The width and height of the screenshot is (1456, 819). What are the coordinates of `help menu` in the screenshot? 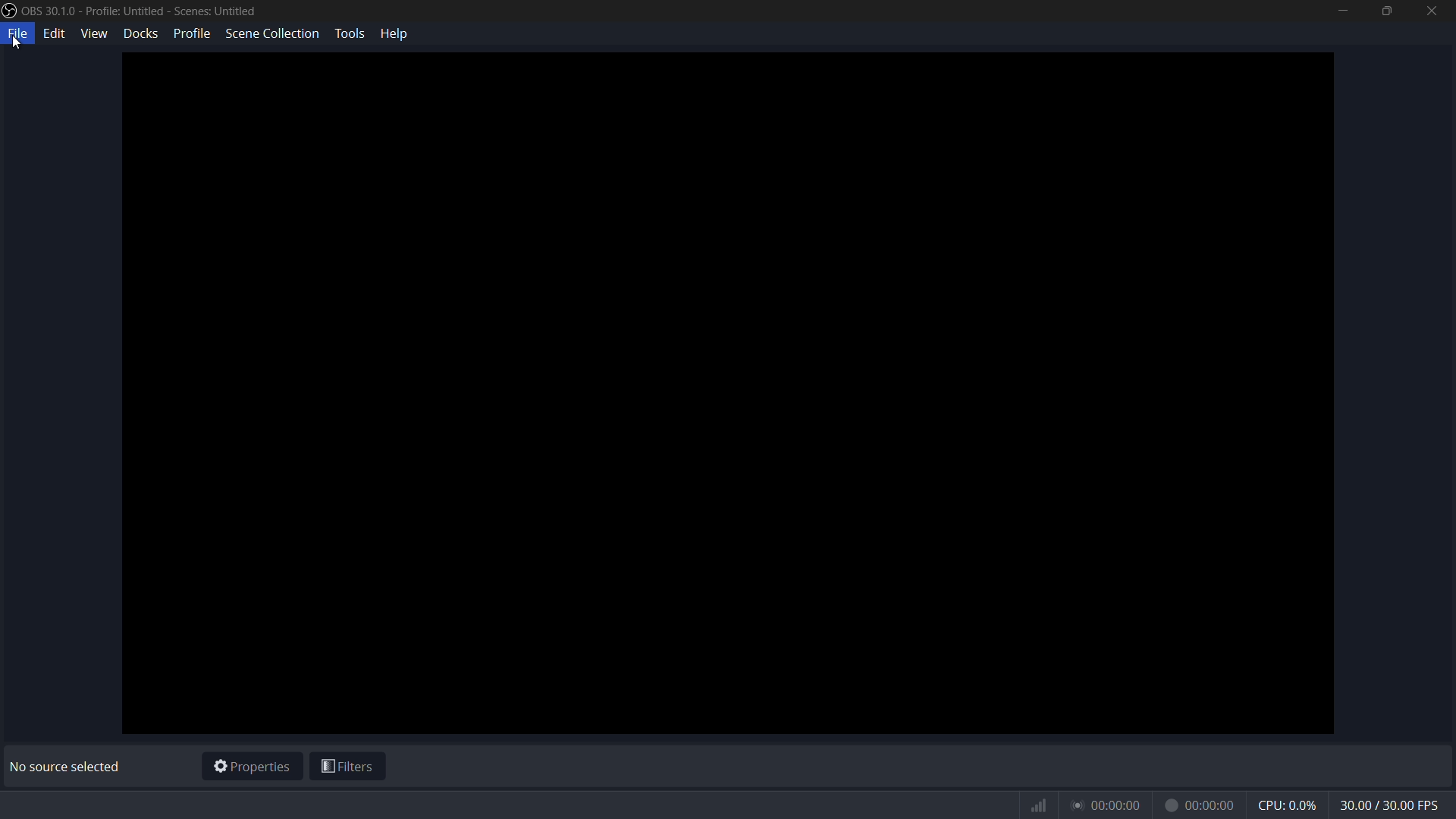 It's located at (396, 33).